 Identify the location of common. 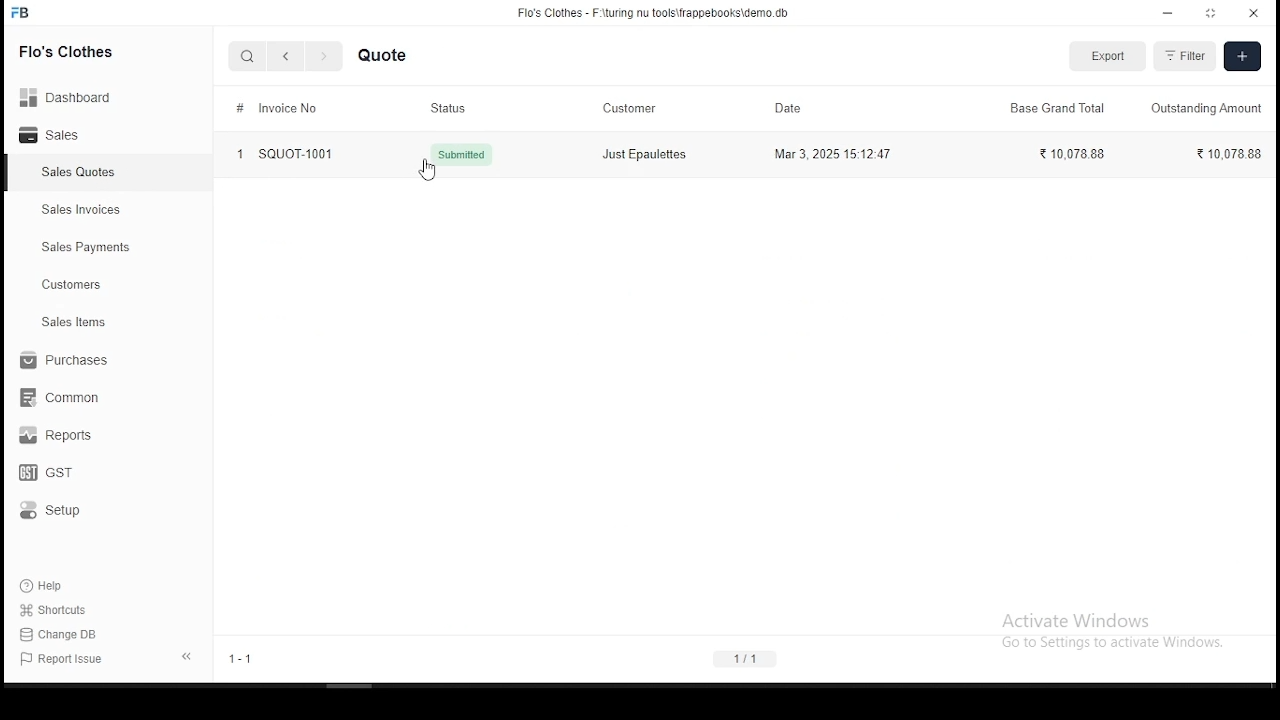
(67, 397).